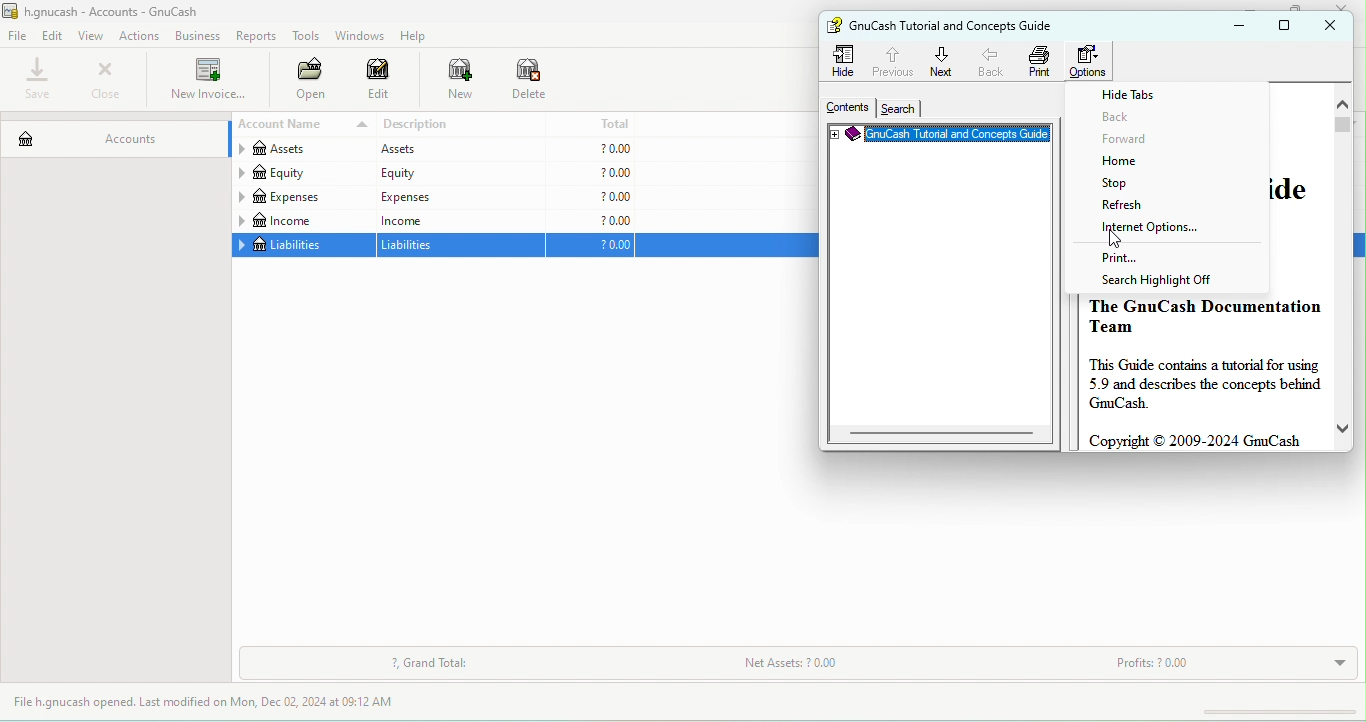 This screenshot has height=722, width=1366. Describe the element at coordinates (1141, 208) in the screenshot. I see `refresh` at that location.